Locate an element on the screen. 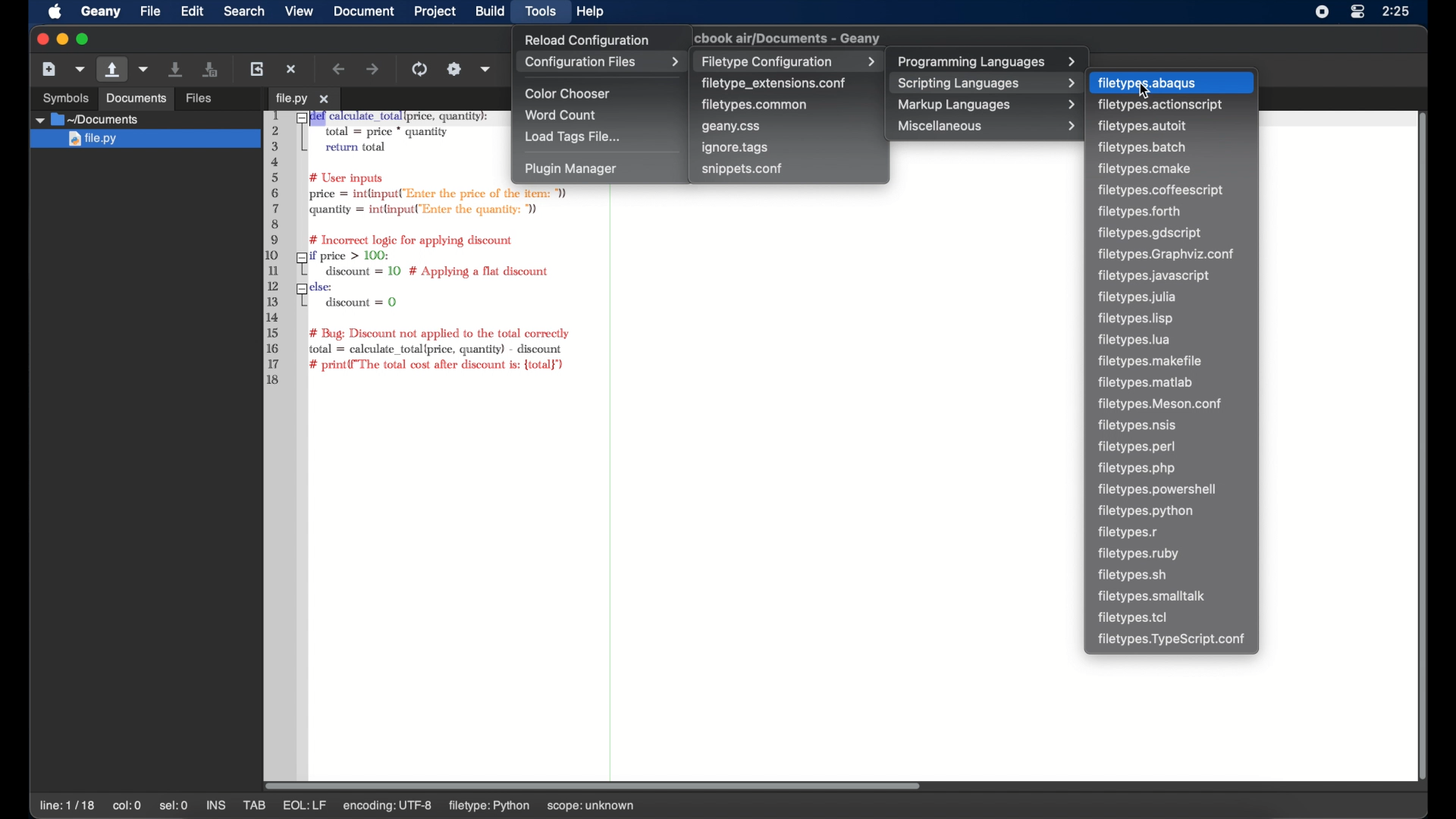 The width and height of the screenshot is (1456, 819). filetypes is located at coordinates (1139, 554).